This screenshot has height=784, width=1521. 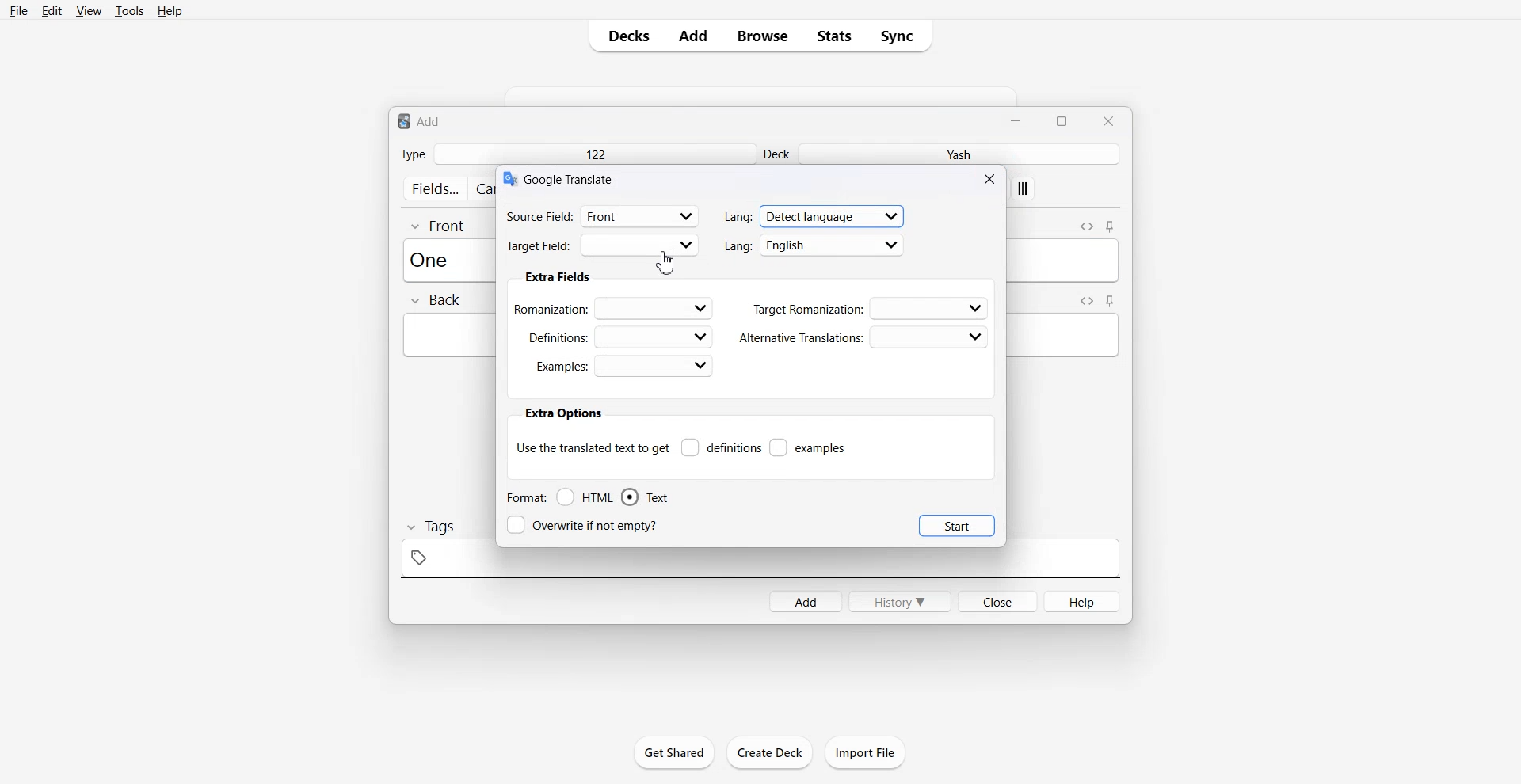 I want to click on language, so click(x=814, y=245).